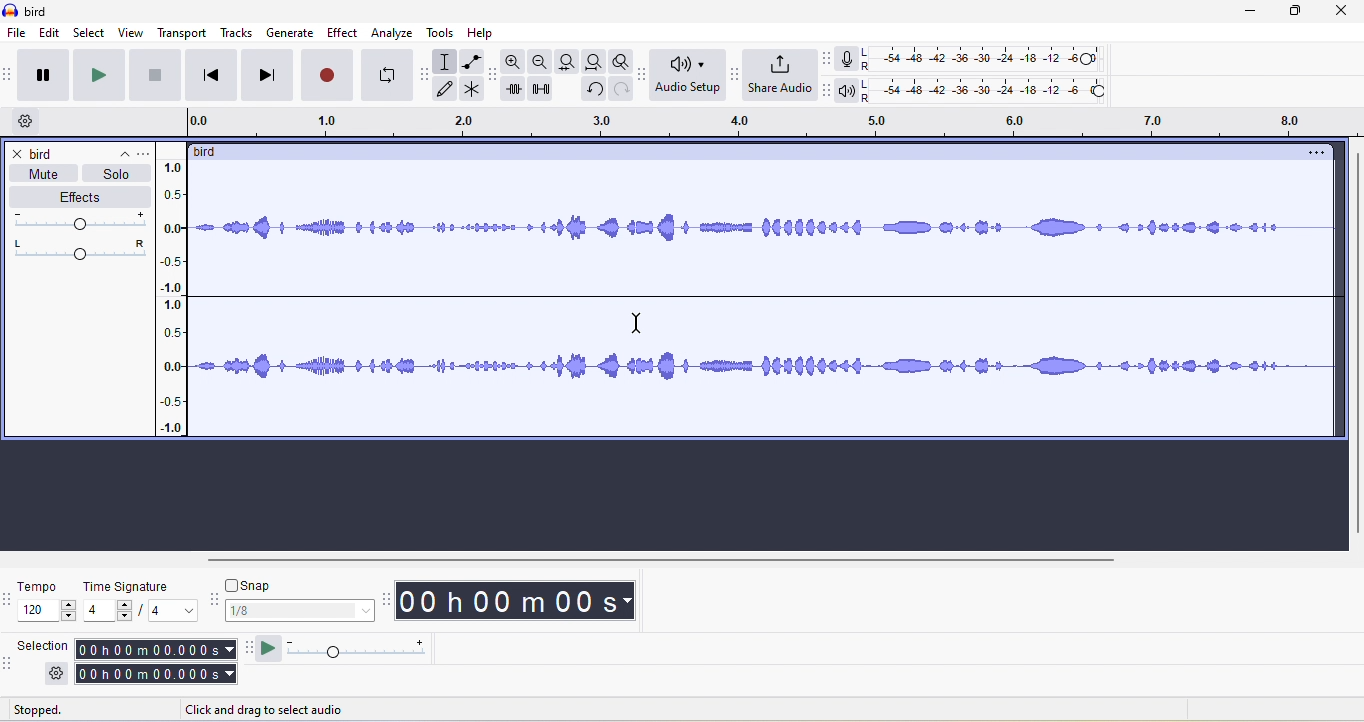 Image resolution: width=1364 pixels, height=722 pixels. What do you see at coordinates (826, 91) in the screenshot?
I see `audacity playback meter toolbar` at bounding box center [826, 91].